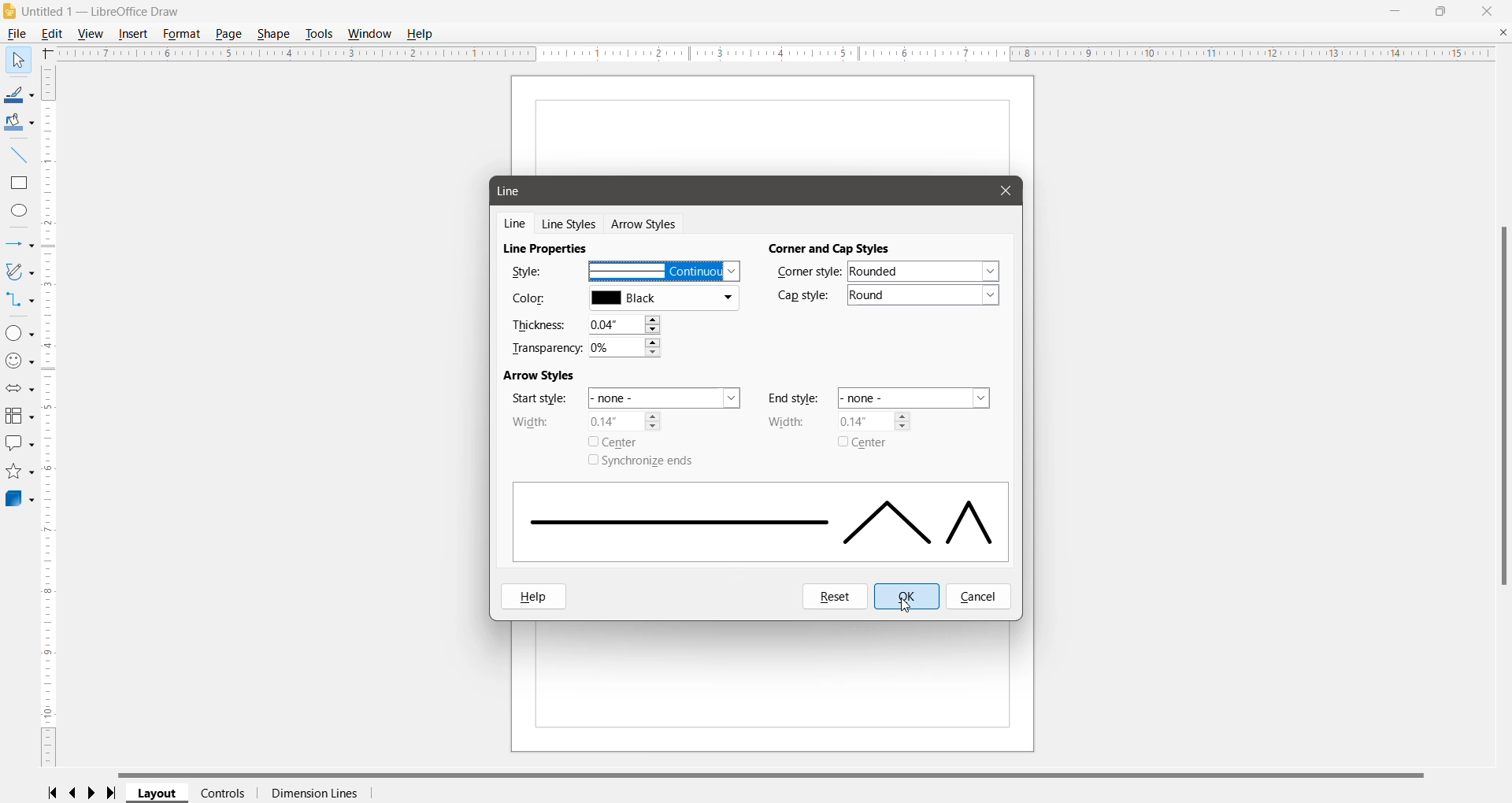  I want to click on Scroll to next page, so click(93, 794).